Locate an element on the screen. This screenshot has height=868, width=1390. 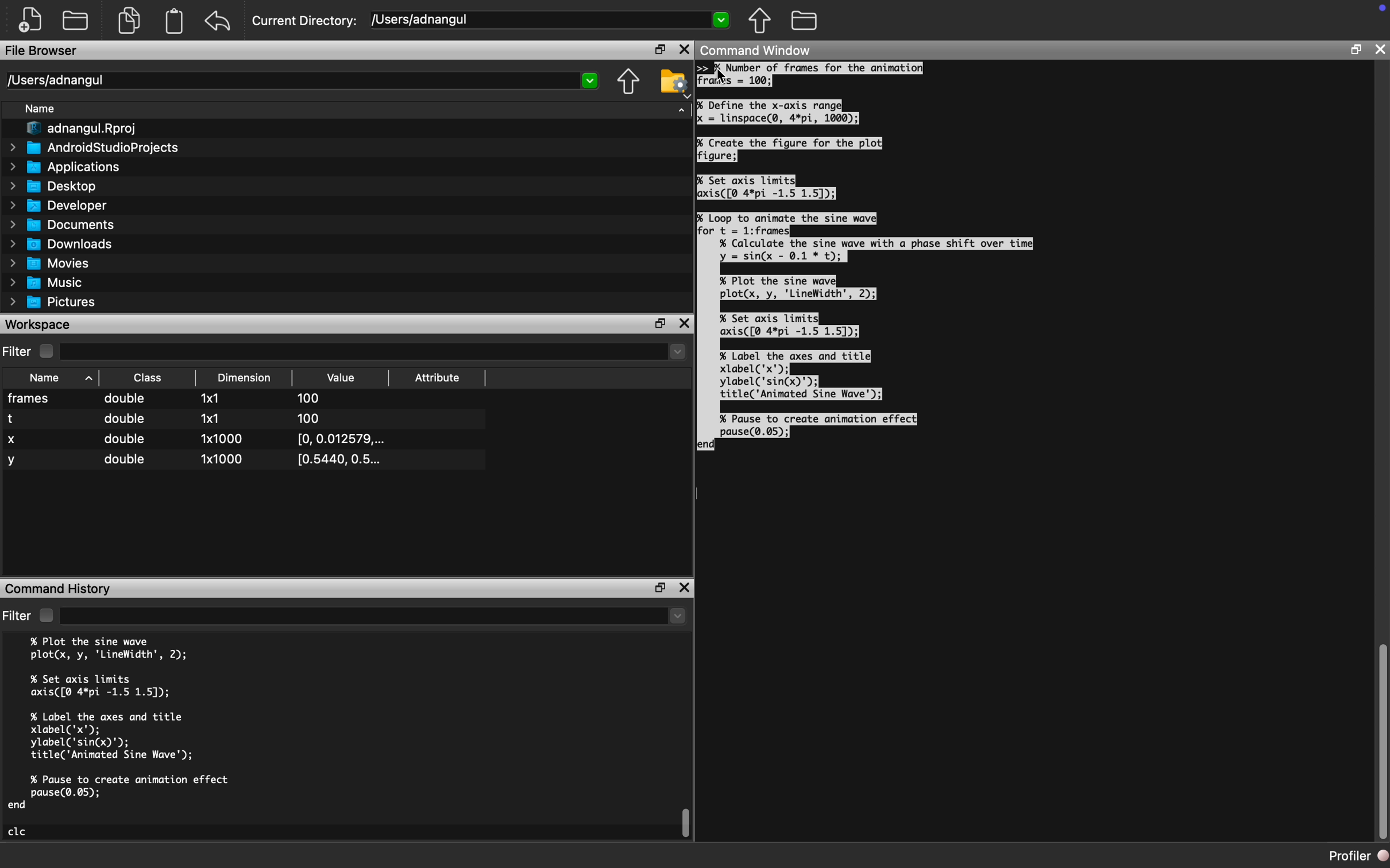
Attribute is located at coordinates (438, 378).